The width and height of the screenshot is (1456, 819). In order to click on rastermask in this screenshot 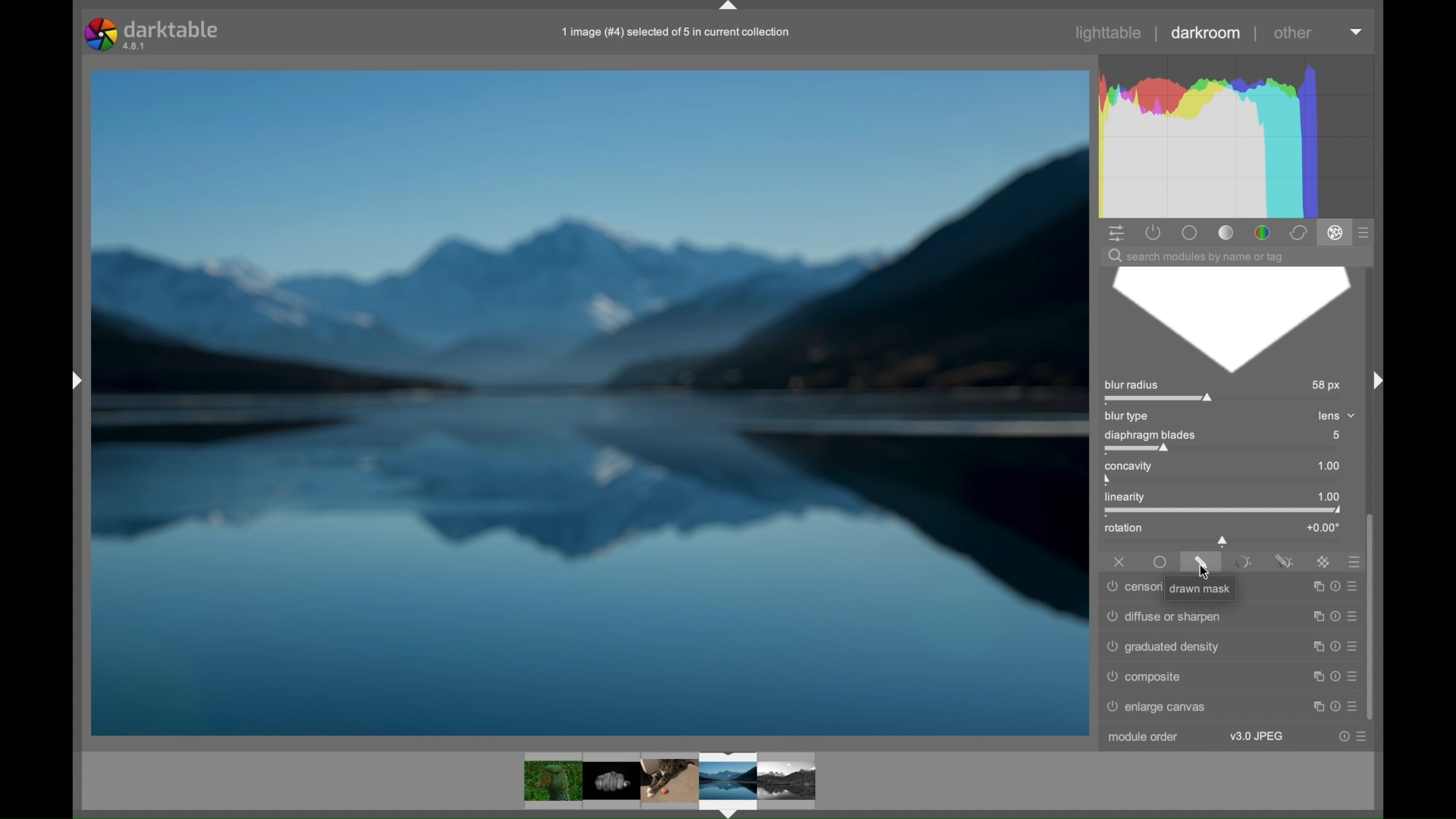, I will do `click(1323, 561)`.